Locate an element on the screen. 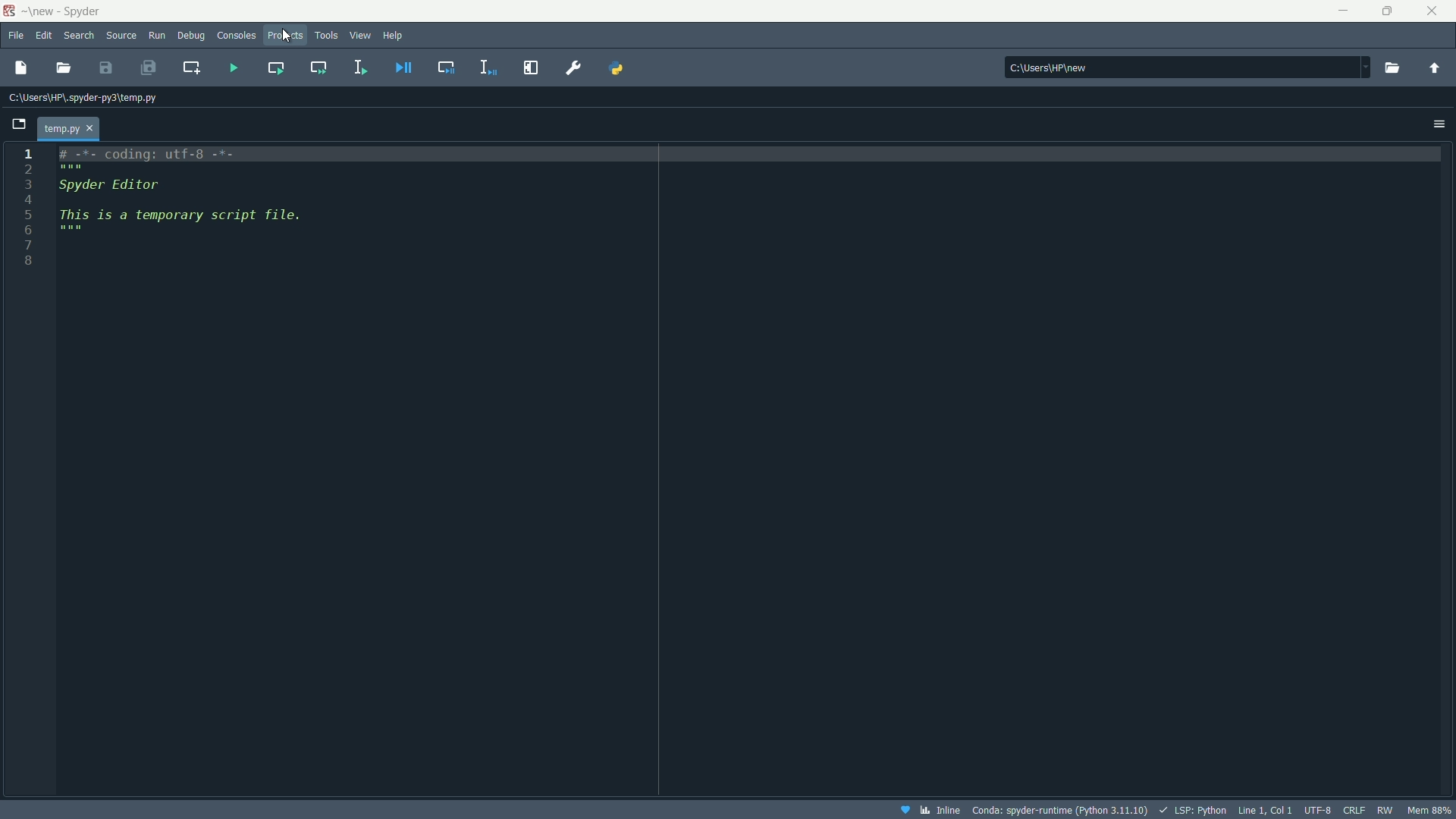  run file is located at coordinates (234, 70).